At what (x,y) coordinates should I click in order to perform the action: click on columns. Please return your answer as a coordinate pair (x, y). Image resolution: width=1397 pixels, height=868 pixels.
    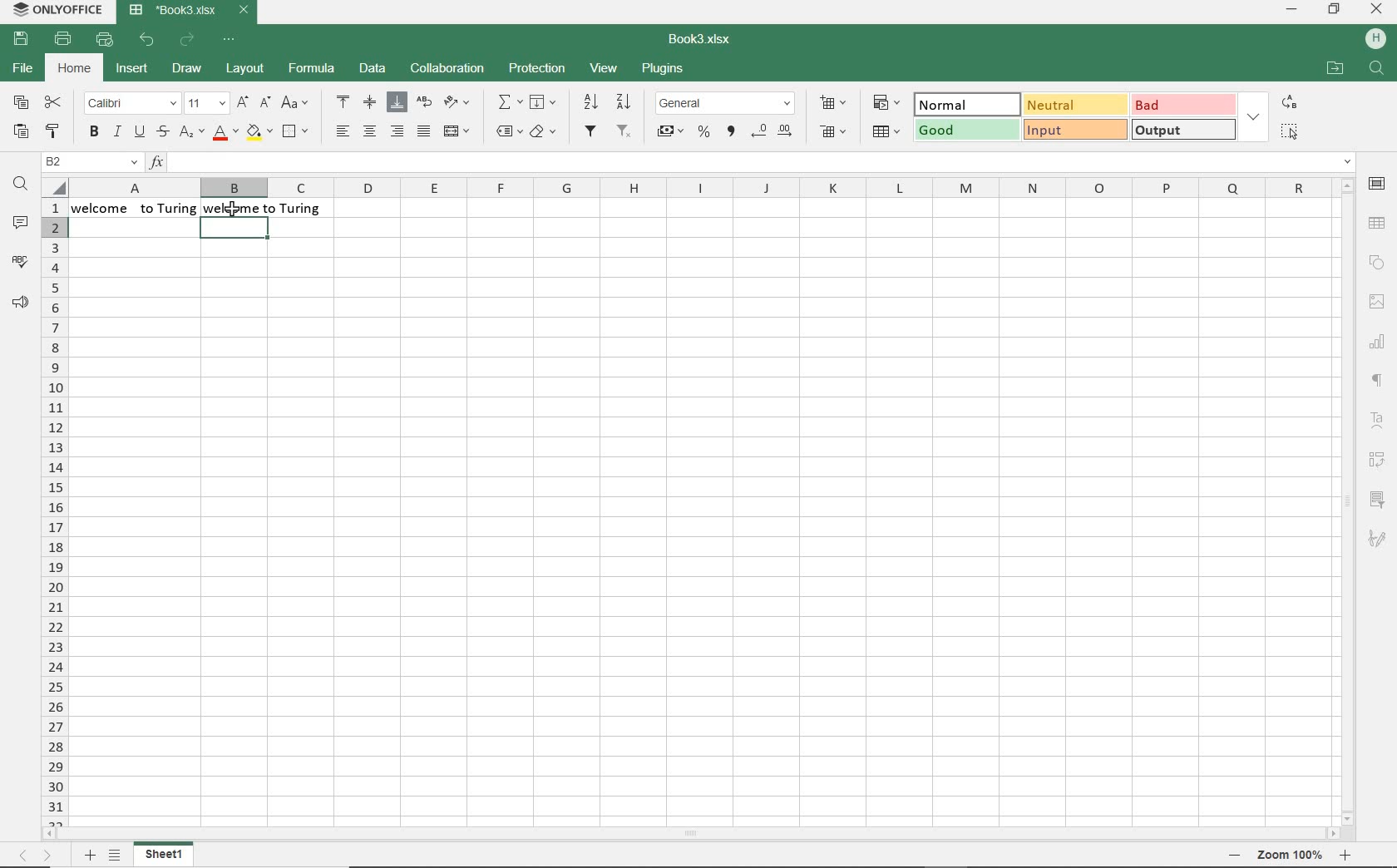
    Looking at the image, I should click on (687, 189).